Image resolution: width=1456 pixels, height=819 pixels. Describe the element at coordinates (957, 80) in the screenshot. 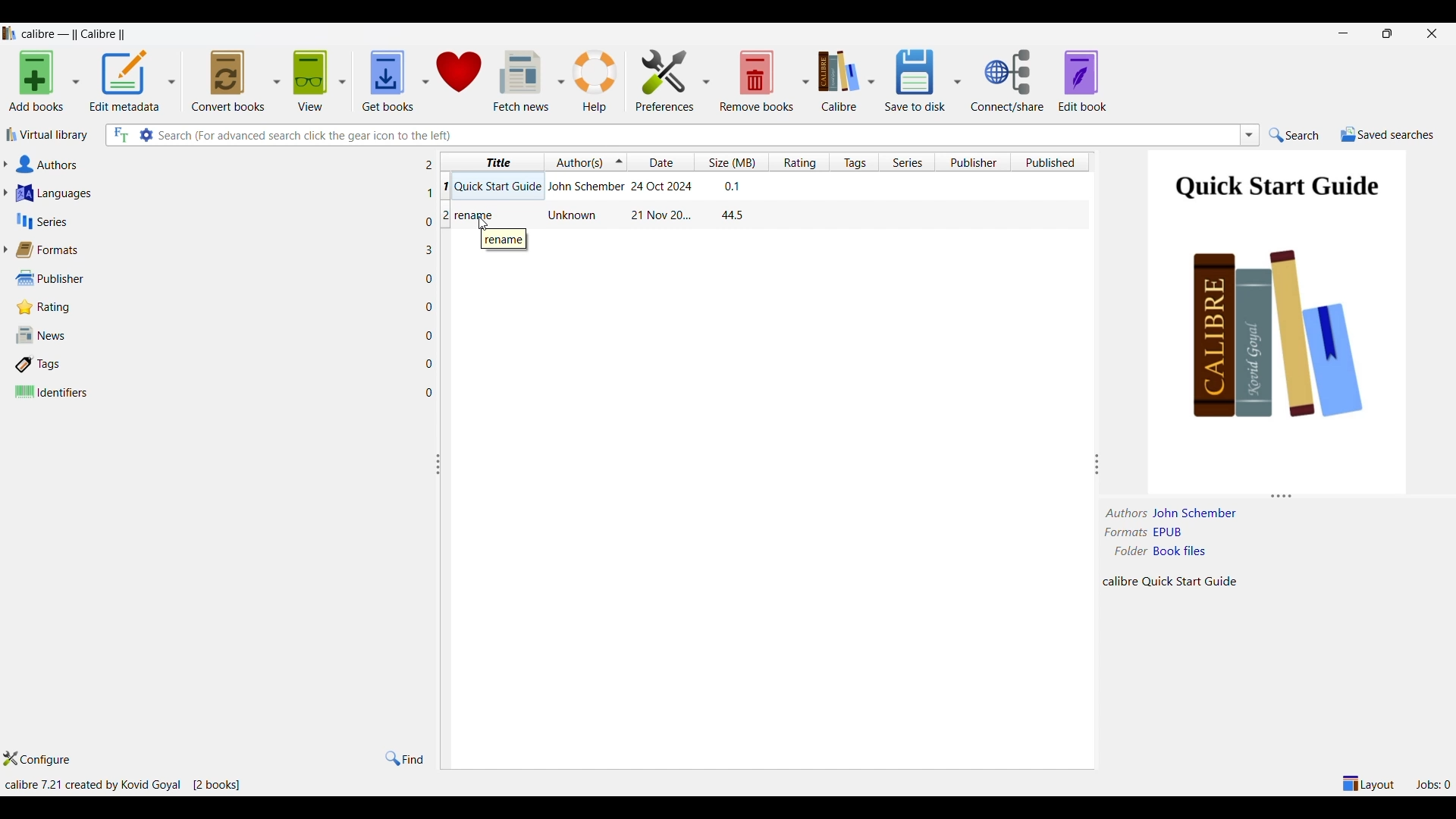

I see `Save options` at that location.